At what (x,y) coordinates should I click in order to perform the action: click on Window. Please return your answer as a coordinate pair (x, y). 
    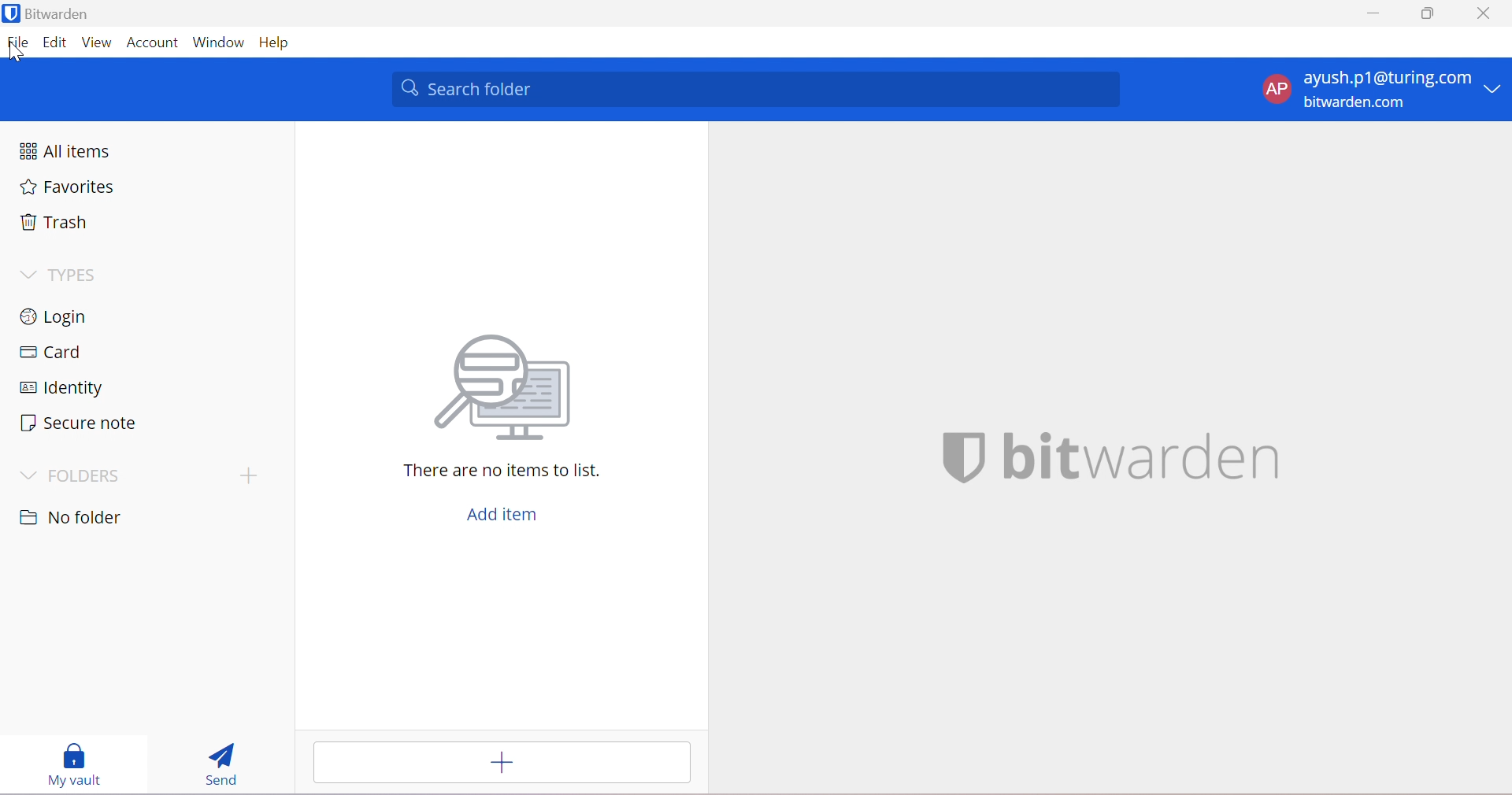
    Looking at the image, I should click on (219, 41).